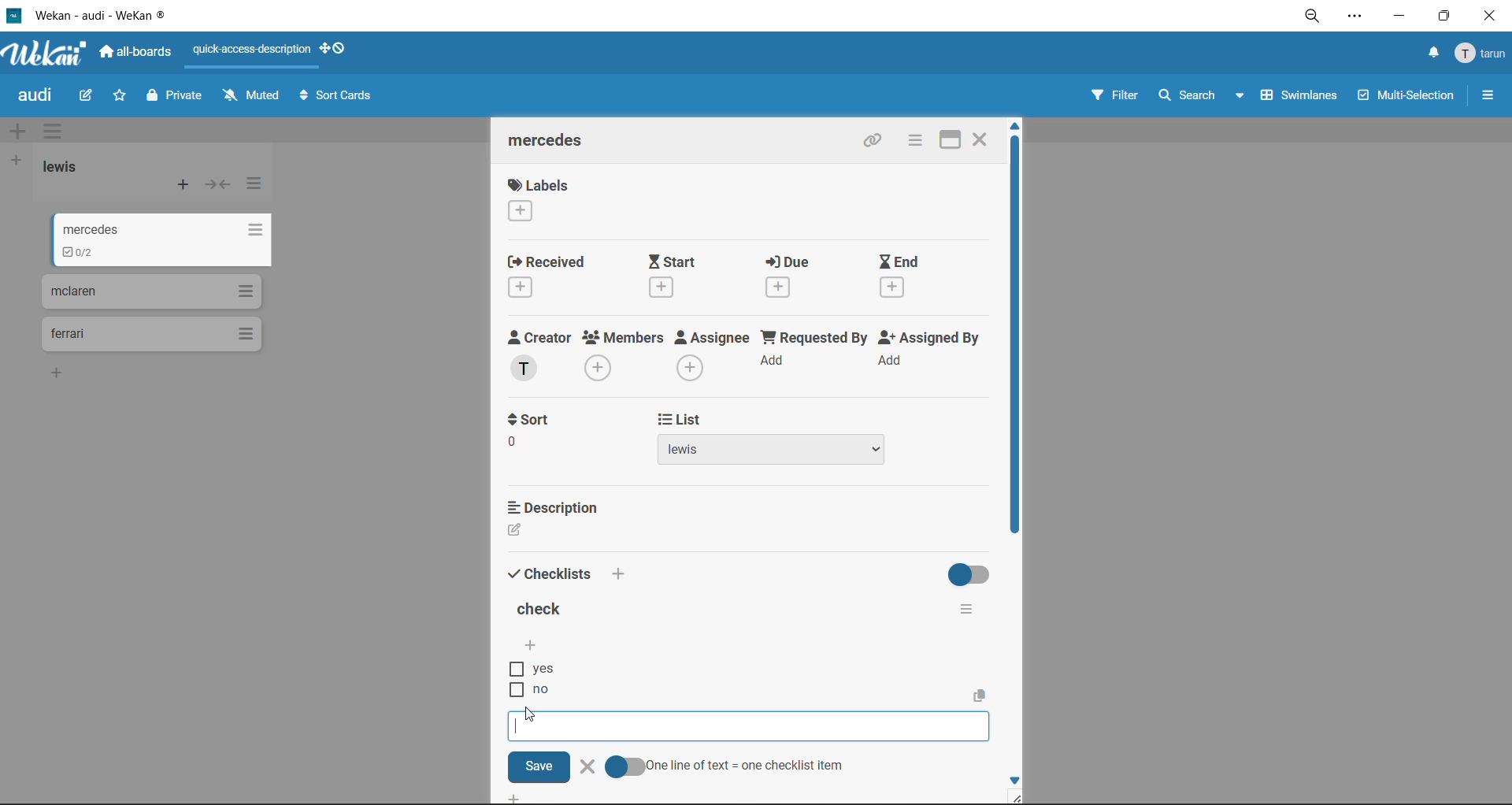 The width and height of the screenshot is (1512, 805). Describe the element at coordinates (542, 766) in the screenshot. I see `Save` at that location.